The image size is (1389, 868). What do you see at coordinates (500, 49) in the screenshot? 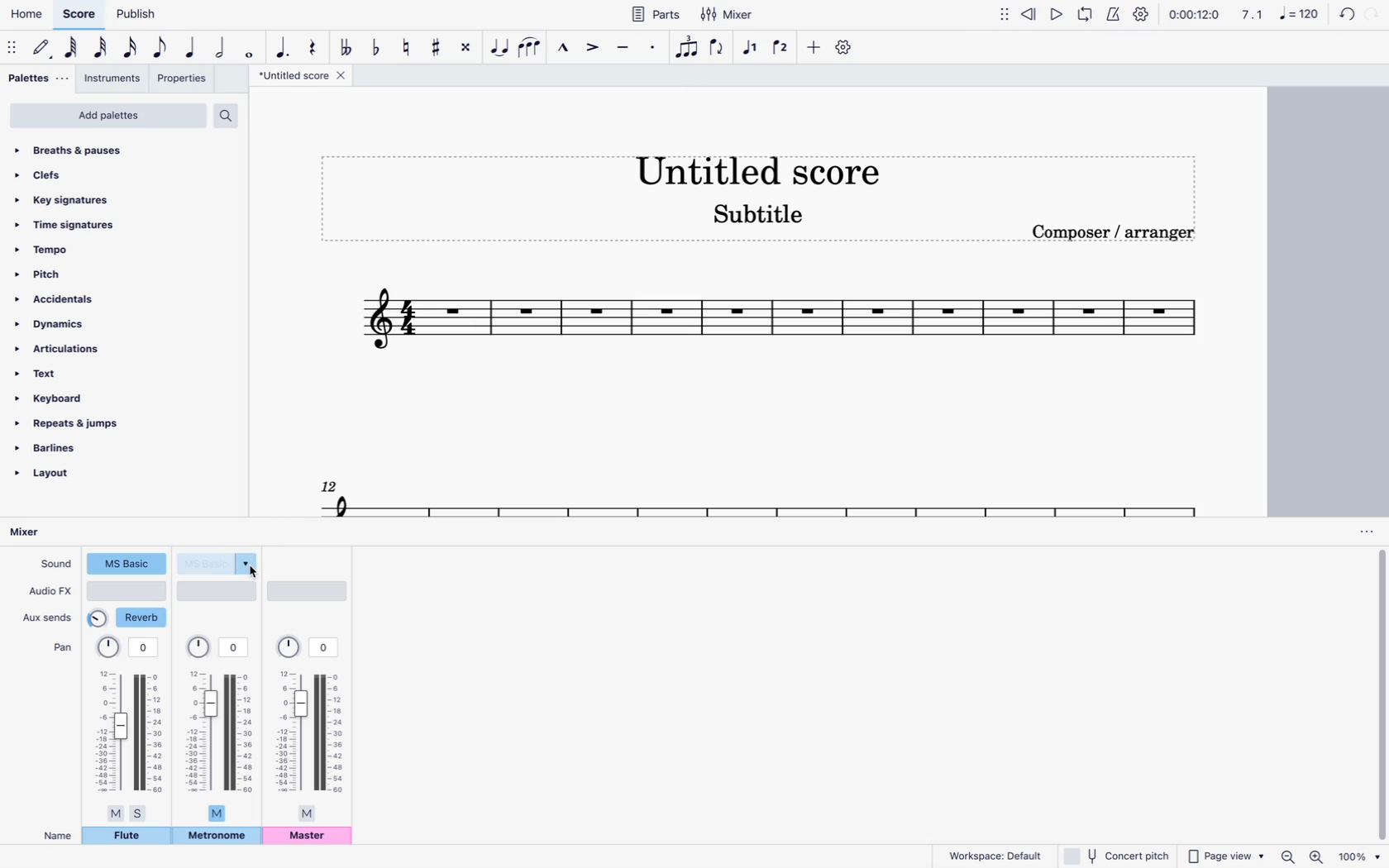
I see `tie` at bounding box center [500, 49].